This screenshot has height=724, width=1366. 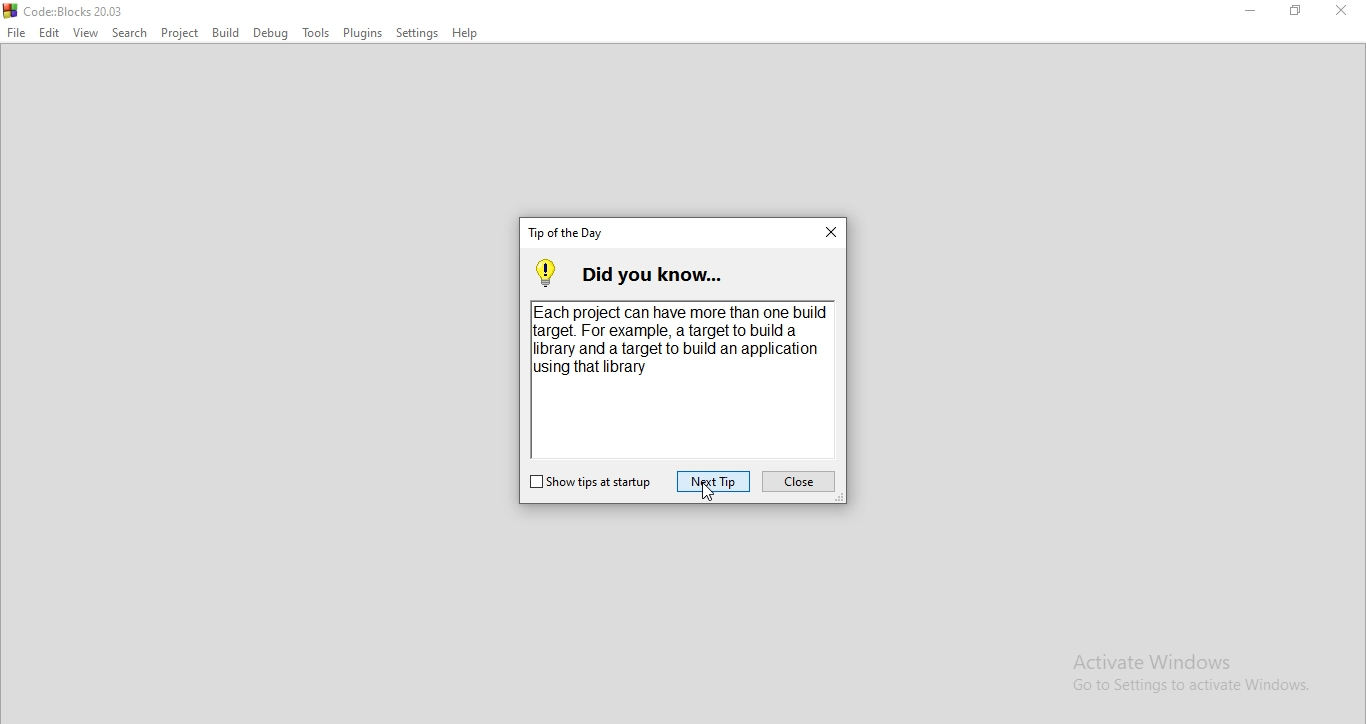 What do you see at coordinates (49, 34) in the screenshot?
I see `Edit ` at bounding box center [49, 34].